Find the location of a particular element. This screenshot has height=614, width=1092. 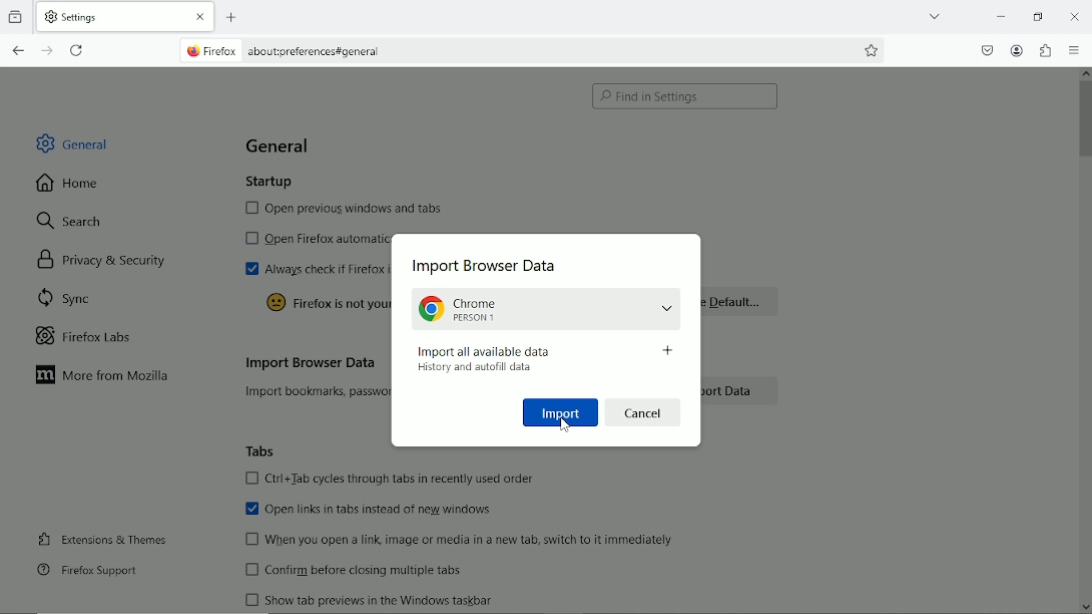

Open links in tabs instead of new windows is located at coordinates (370, 512).